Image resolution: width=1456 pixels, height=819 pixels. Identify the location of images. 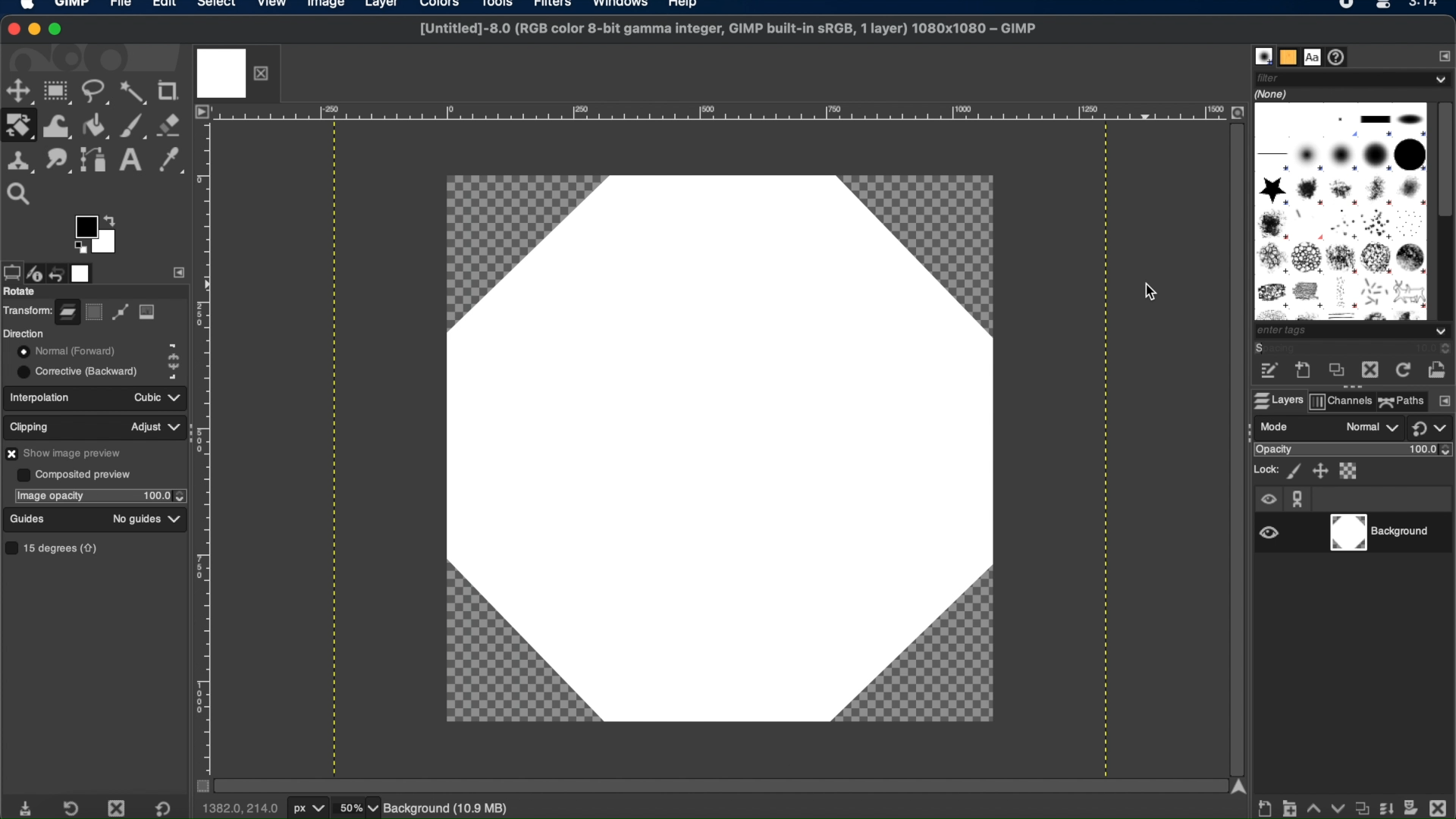
(83, 272).